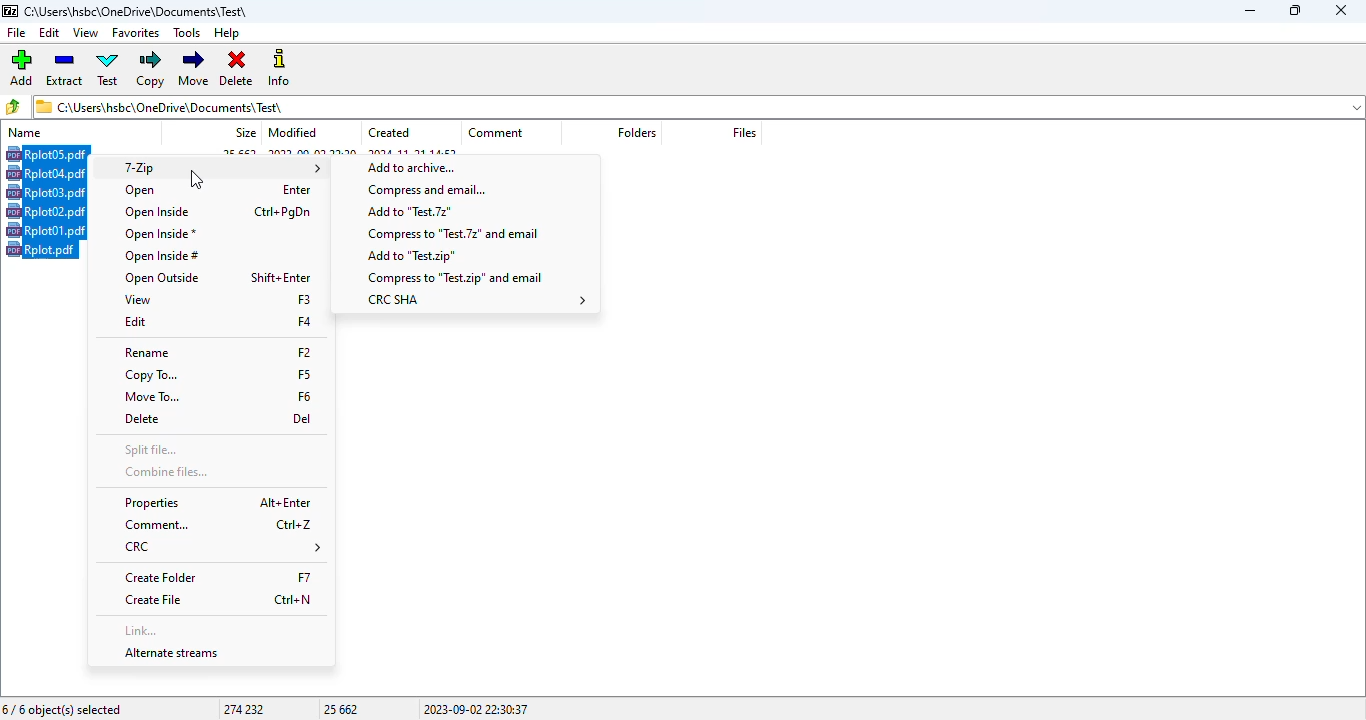  What do you see at coordinates (66, 68) in the screenshot?
I see `extract` at bounding box center [66, 68].